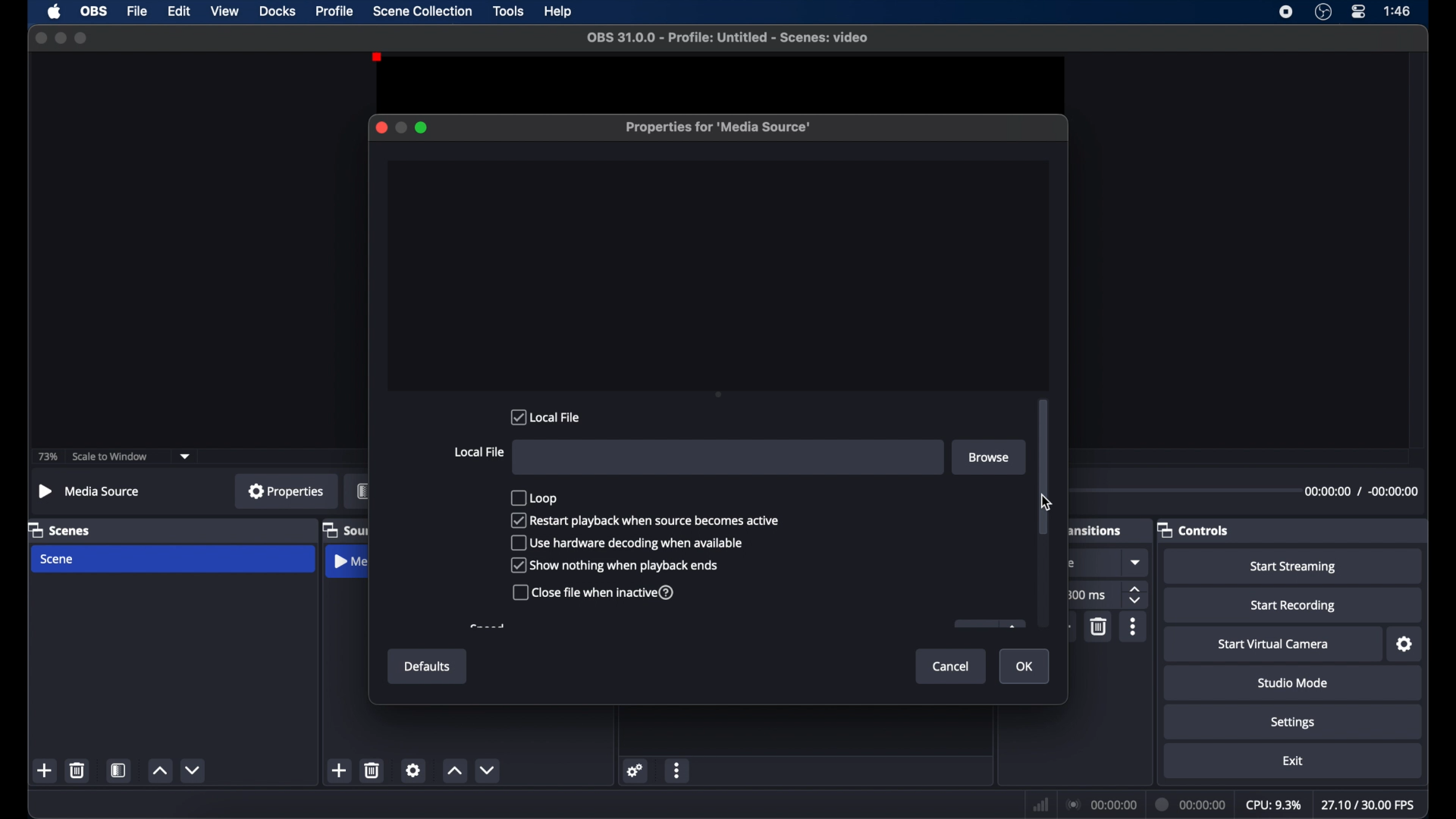  I want to click on properties for media source, so click(719, 127).